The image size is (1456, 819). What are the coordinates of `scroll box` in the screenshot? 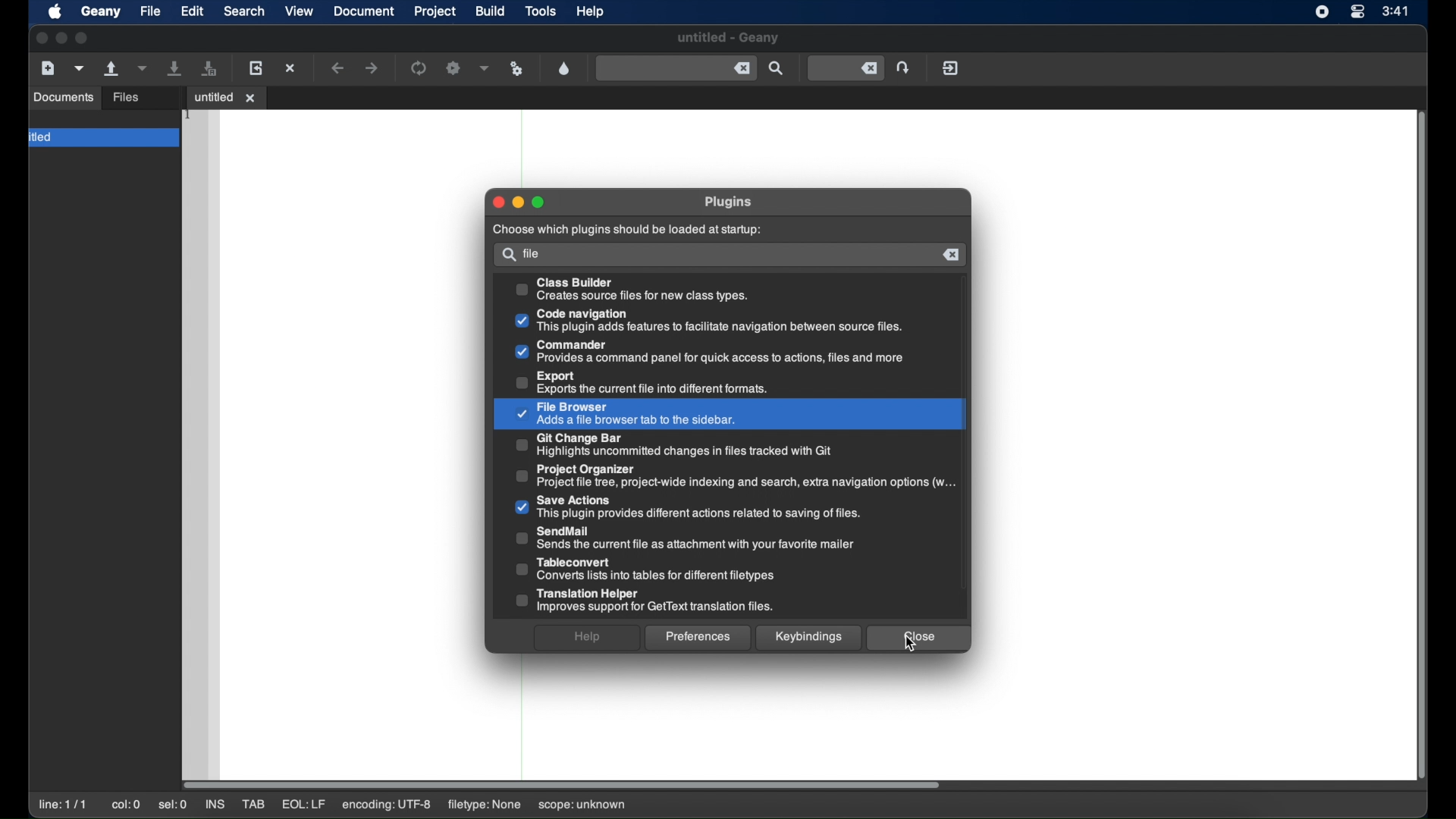 It's located at (564, 783).